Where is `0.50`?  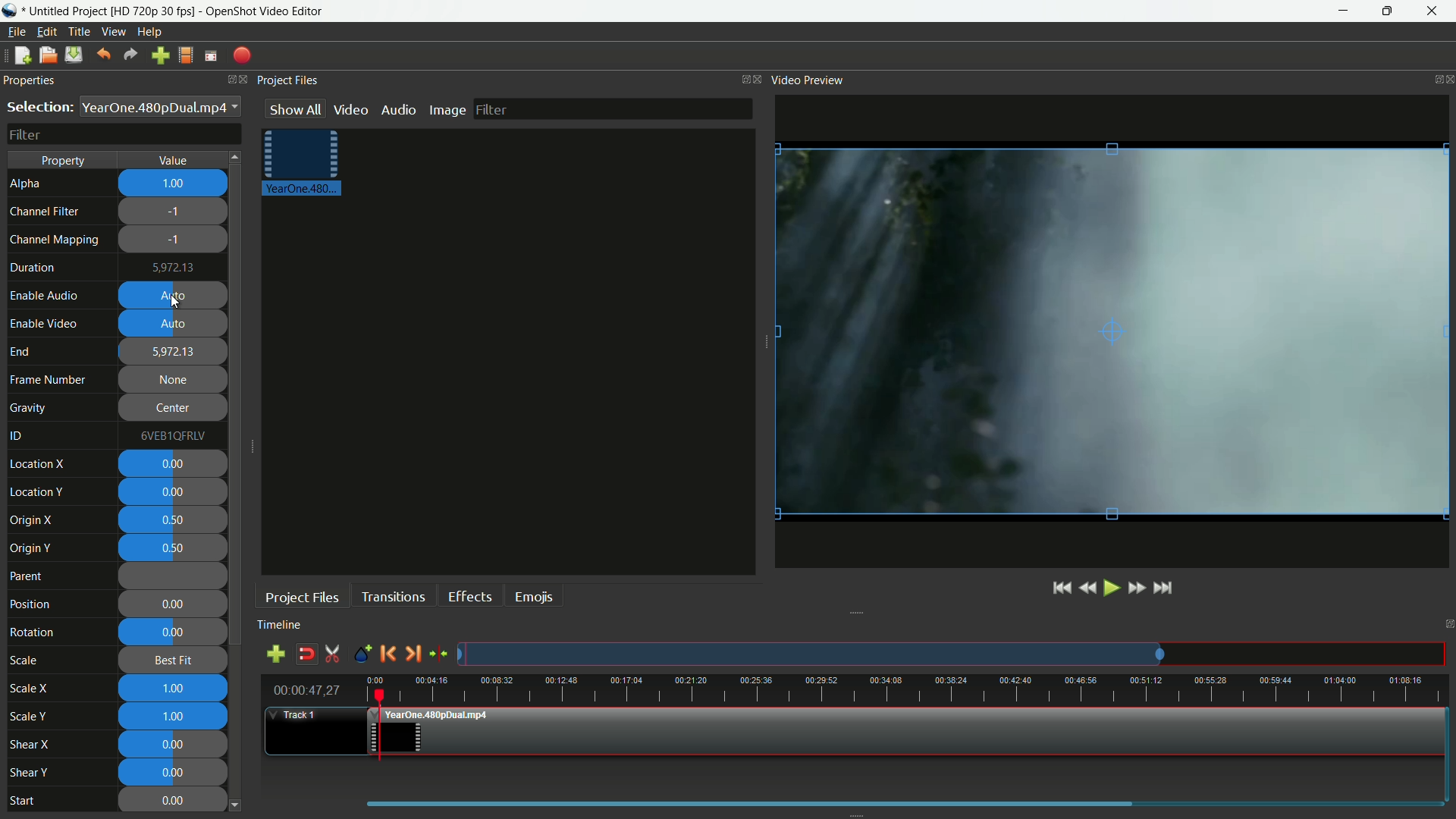 0.50 is located at coordinates (175, 548).